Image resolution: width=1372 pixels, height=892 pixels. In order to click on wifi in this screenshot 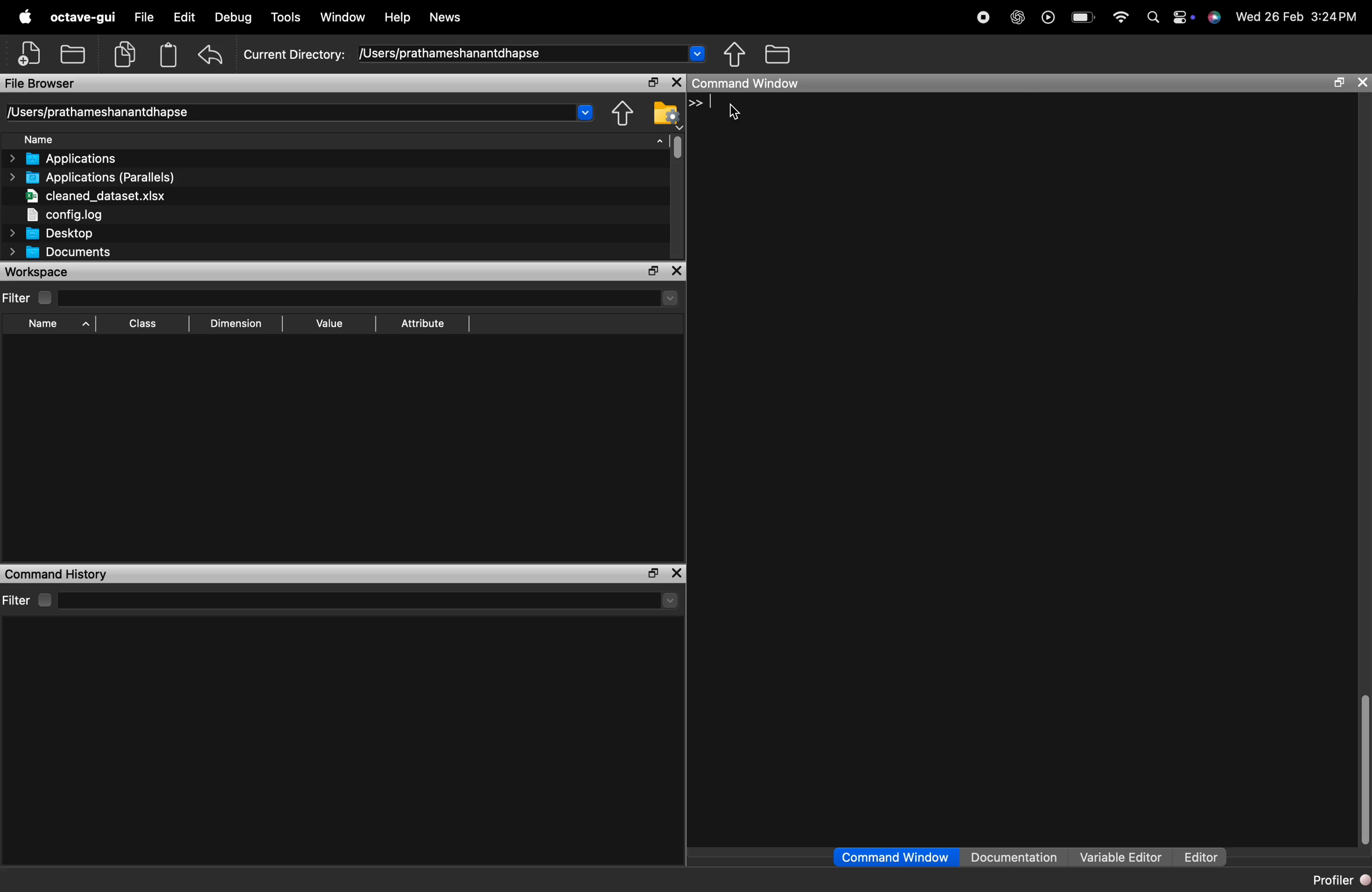, I will do `click(1118, 17)`.